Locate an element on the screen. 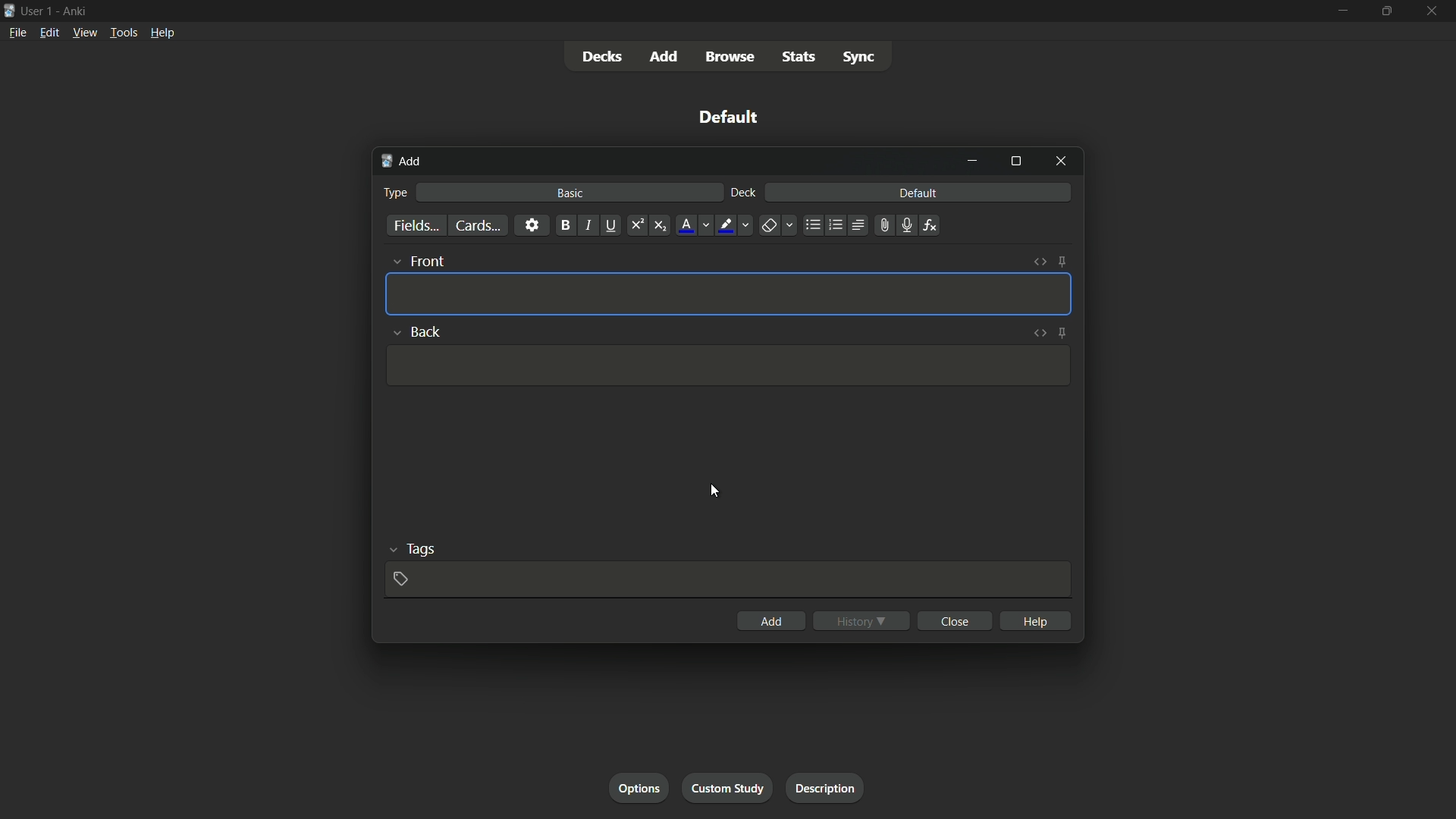  help is located at coordinates (163, 35).